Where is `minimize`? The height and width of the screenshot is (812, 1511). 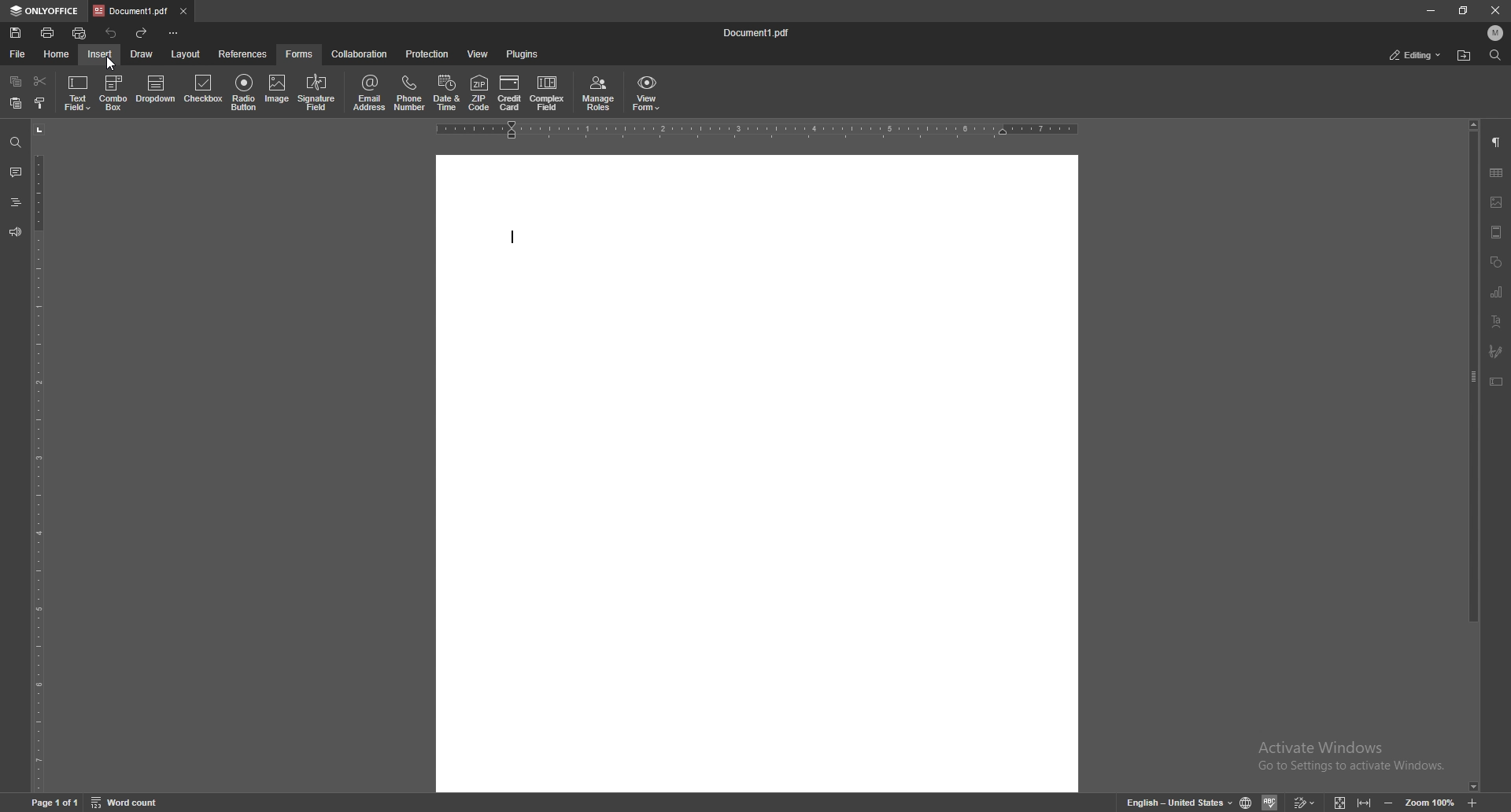
minimize is located at coordinates (1431, 9).